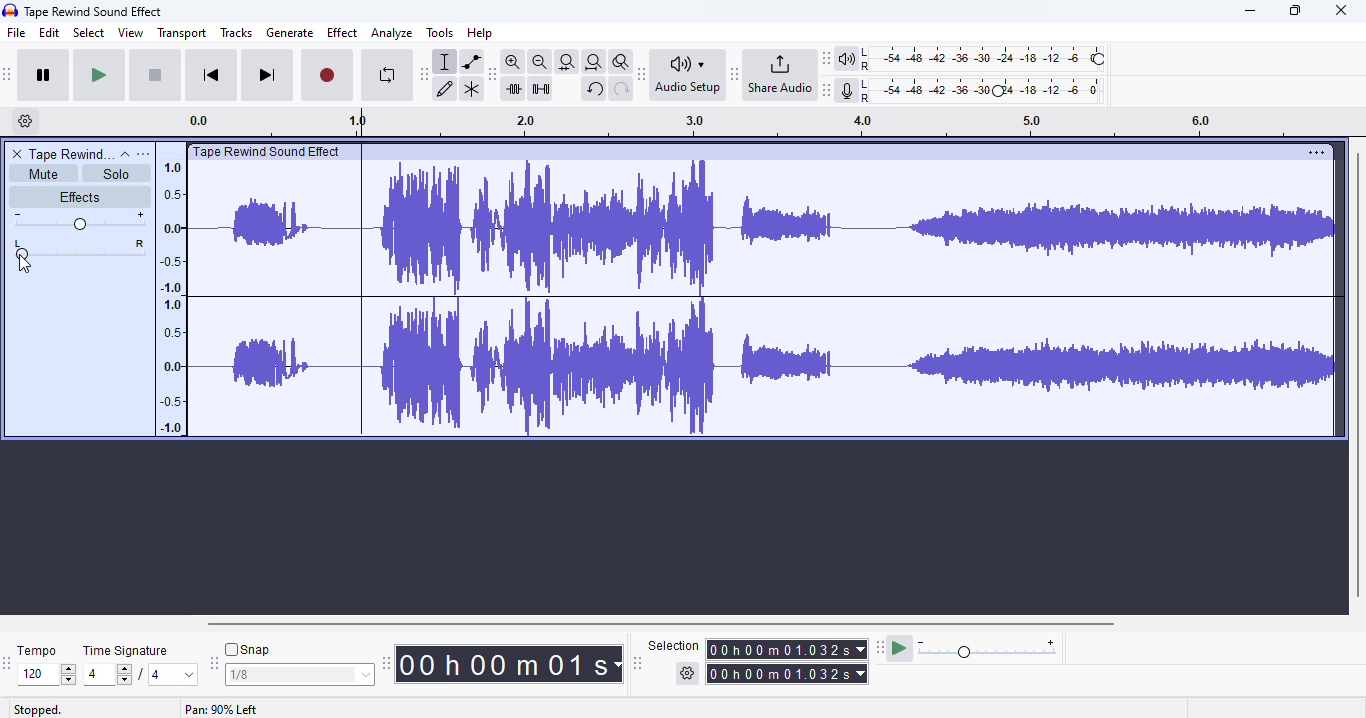  Describe the element at coordinates (44, 174) in the screenshot. I see `mute` at that location.